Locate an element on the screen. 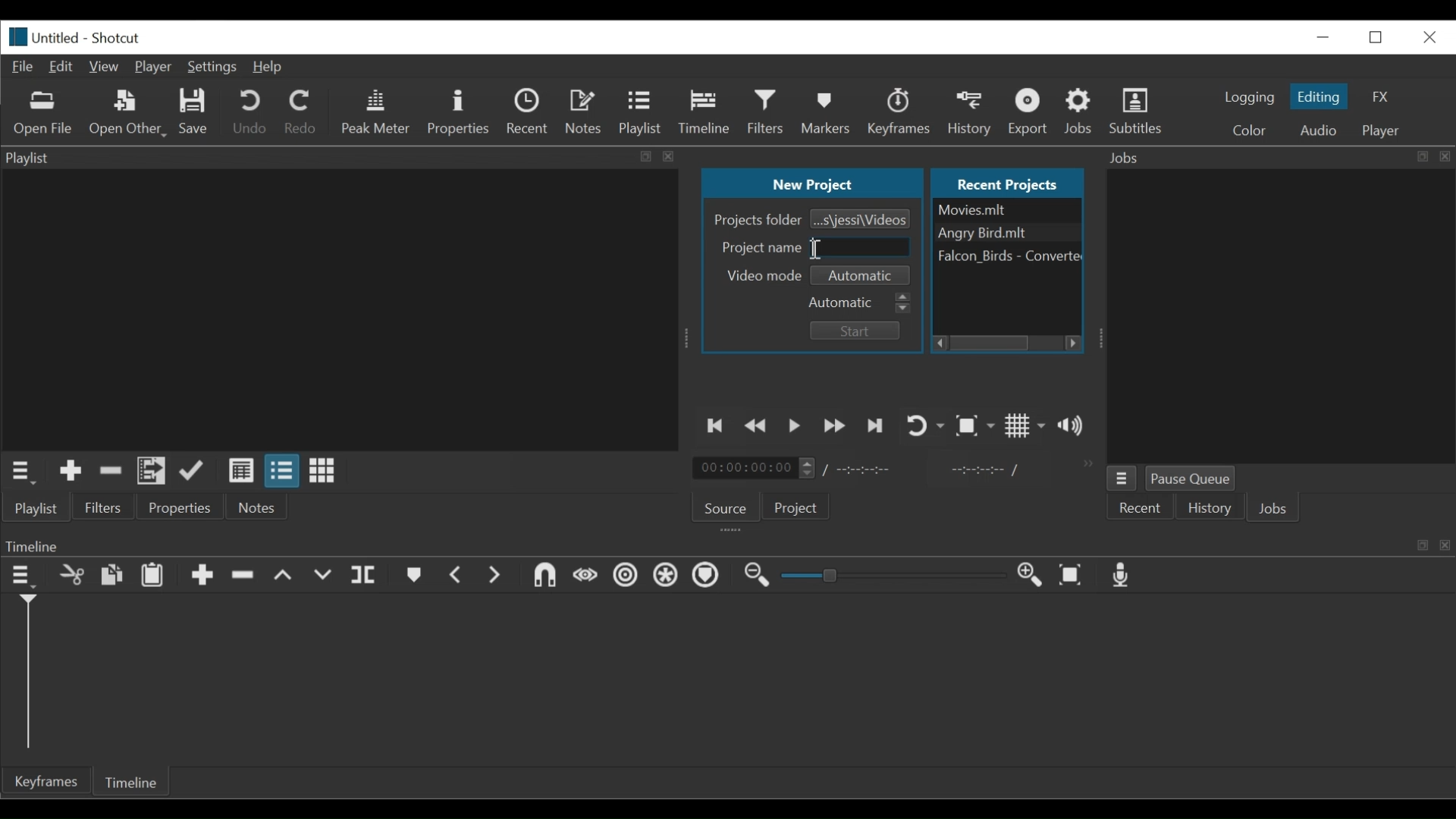 The width and height of the screenshot is (1456, 819). Filters is located at coordinates (767, 113).